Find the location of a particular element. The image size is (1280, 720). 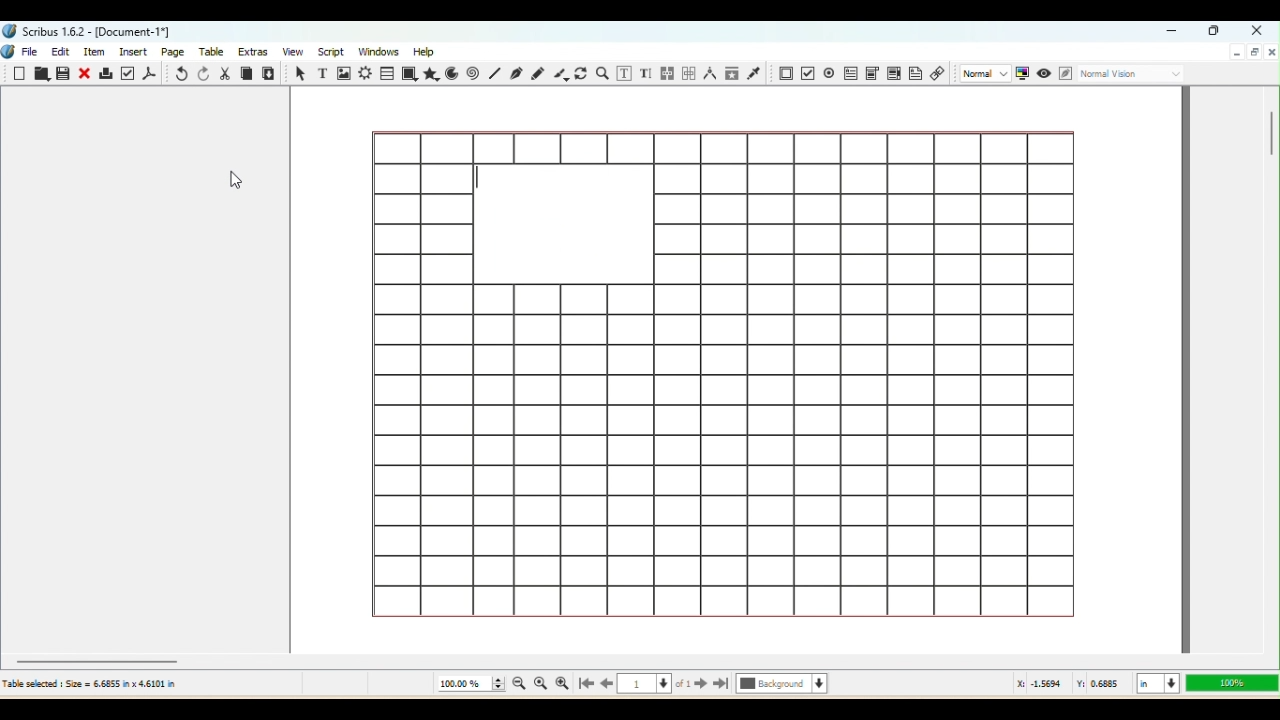

Calligraphic line is located at coordinates (559, 74).